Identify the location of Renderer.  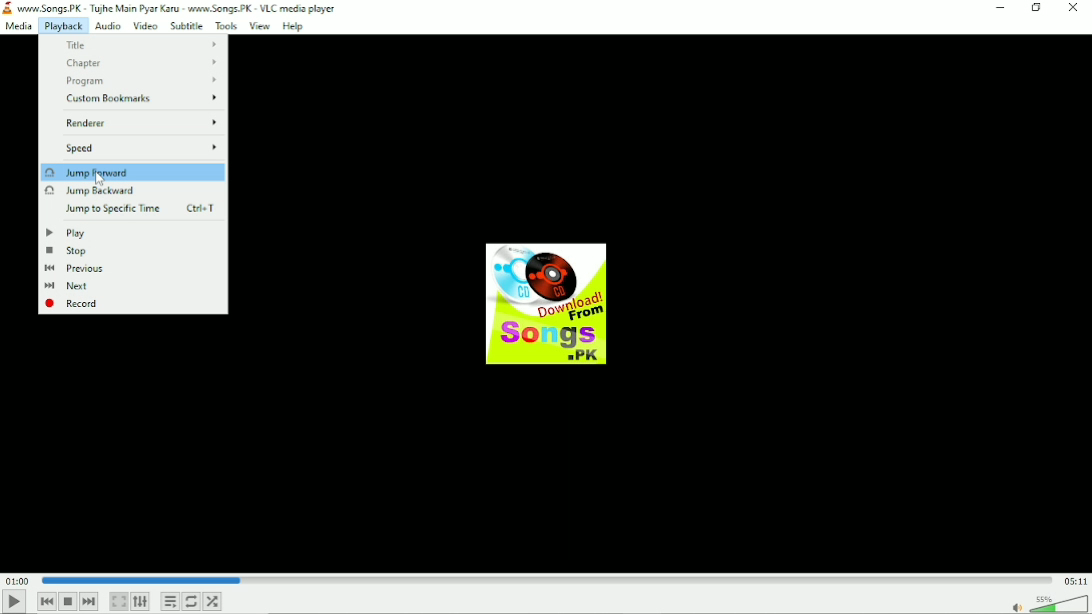
(141, 122).